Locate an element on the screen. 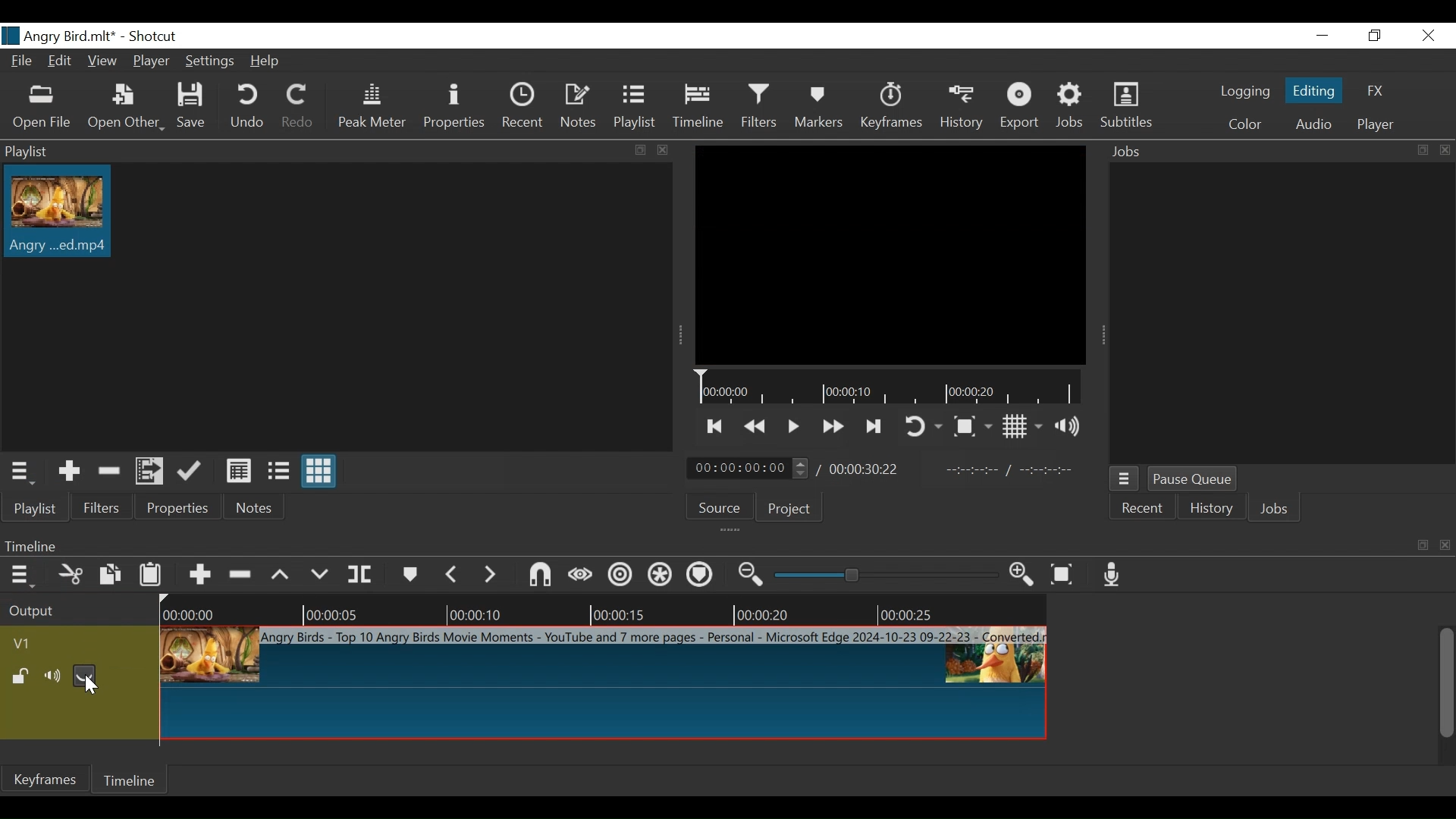  Total duration is located at coordinates (868, 469).